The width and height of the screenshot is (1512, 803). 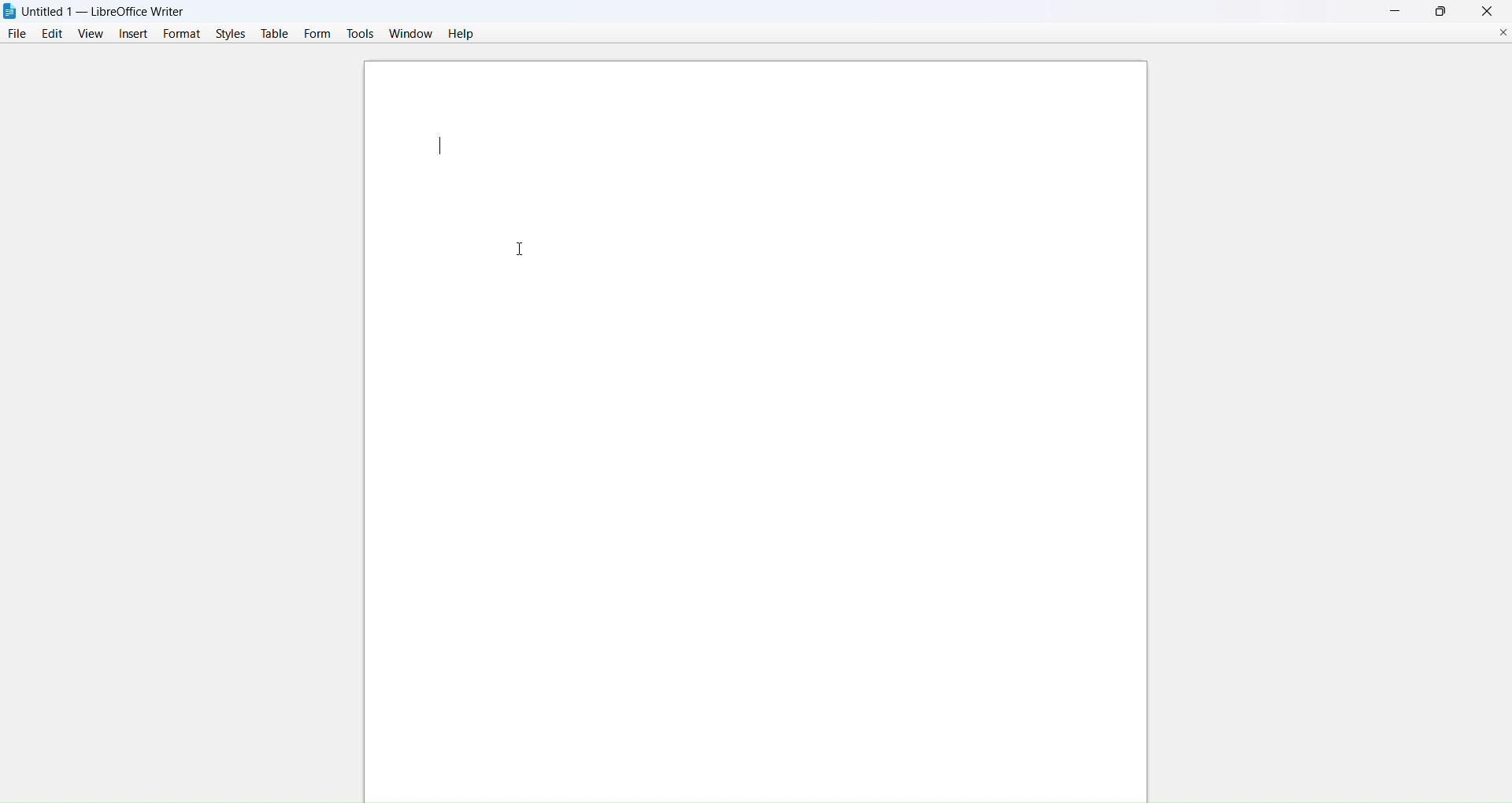 What do you see at coordinates (761, 489) in the screenshot?
I see `canvas` at bounding box center [761, 489].